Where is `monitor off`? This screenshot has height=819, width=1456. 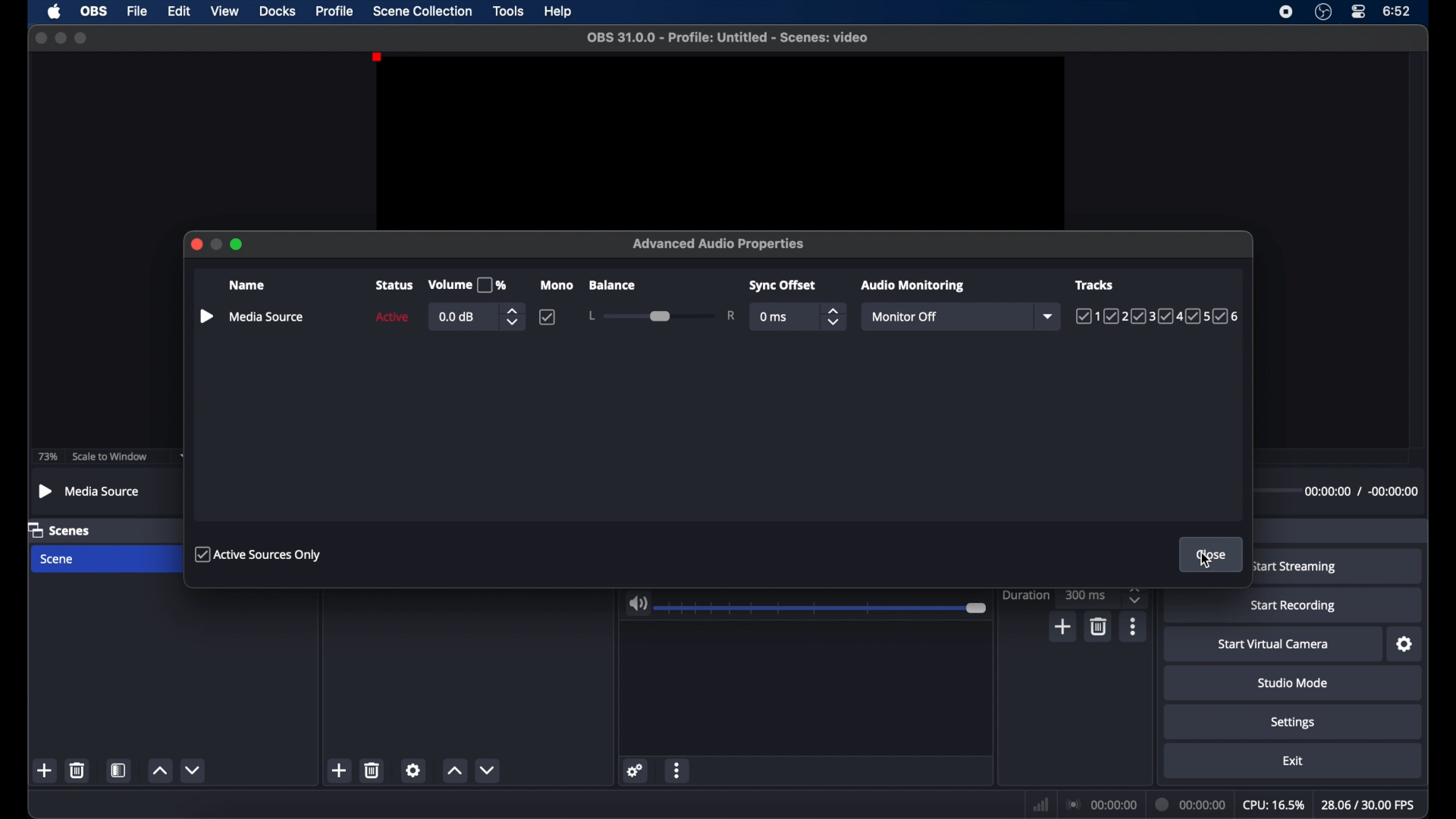 monitor off is located at coordinates (902, 316).